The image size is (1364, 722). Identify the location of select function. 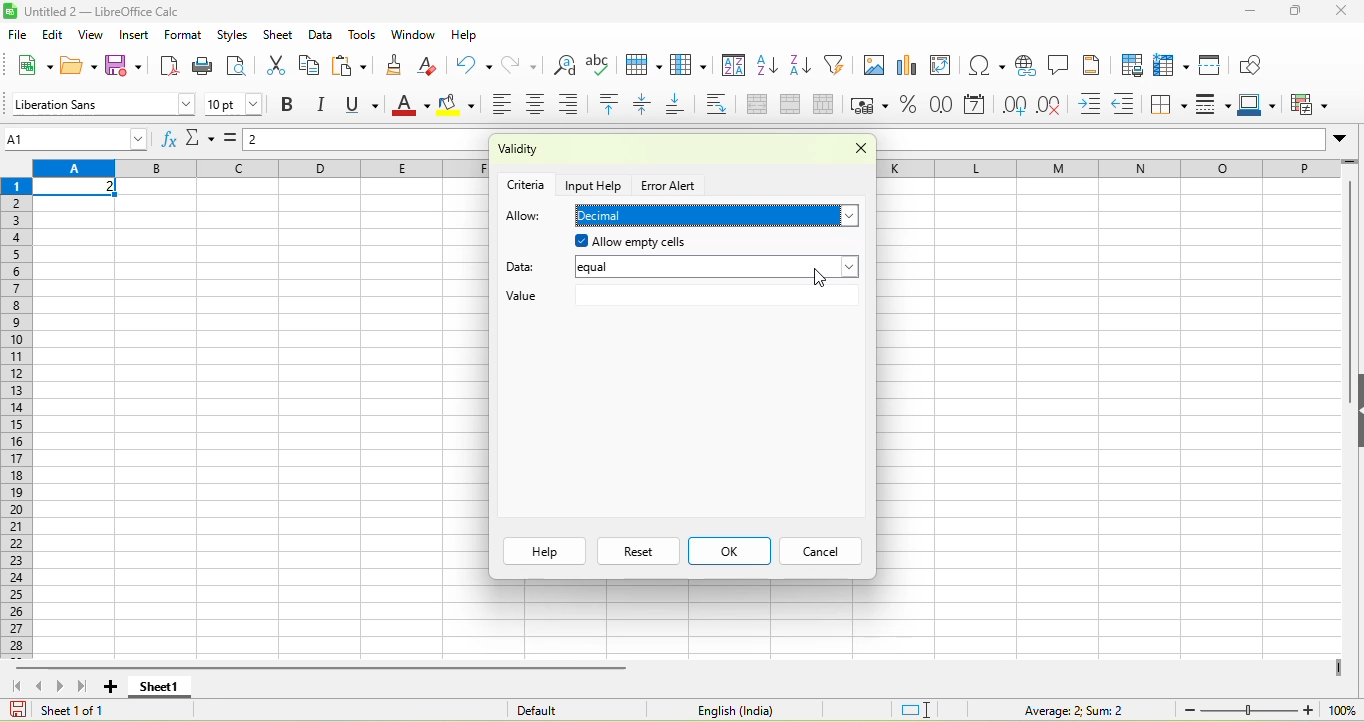
(202, 140).